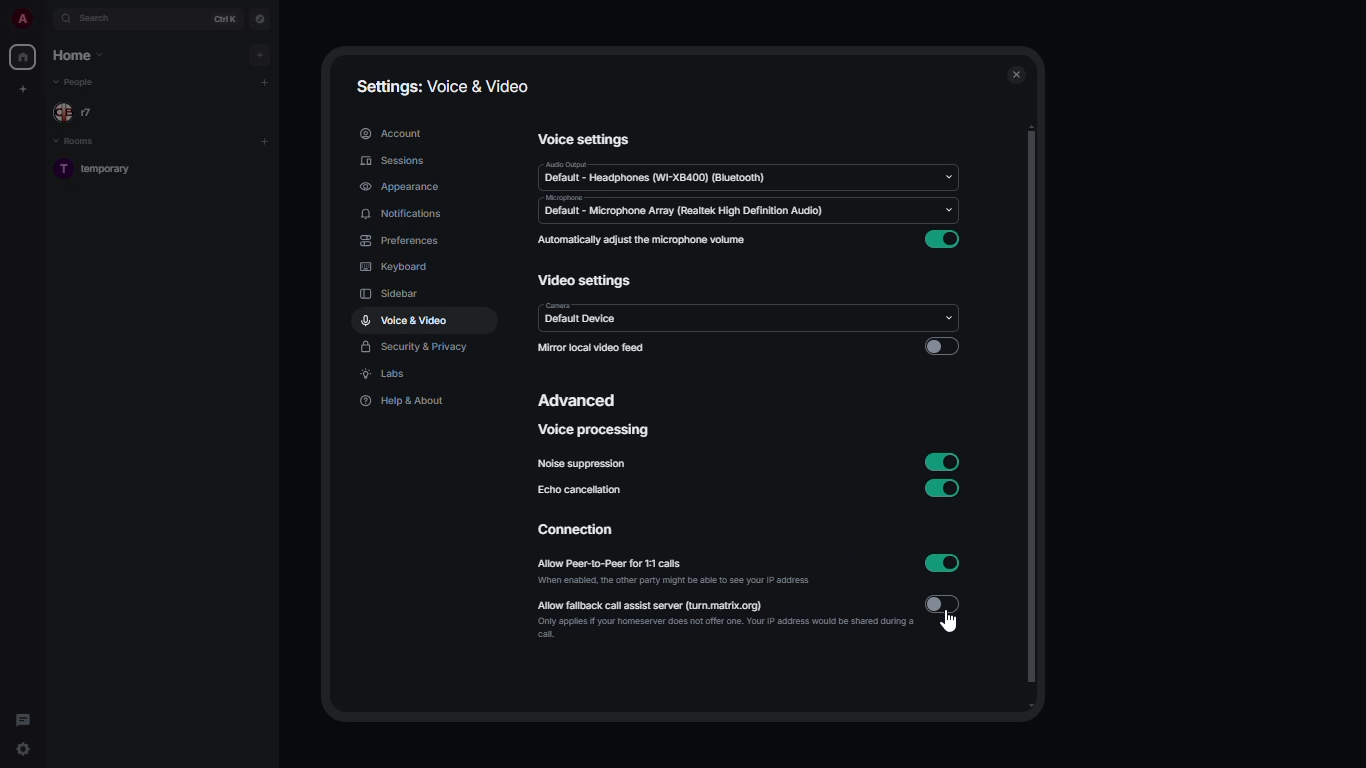 This screenshot has height=768, width=1366. What do you see at coordinates (83, 83) in the screenshot?
I see `people` at bounding box center [83, 83].